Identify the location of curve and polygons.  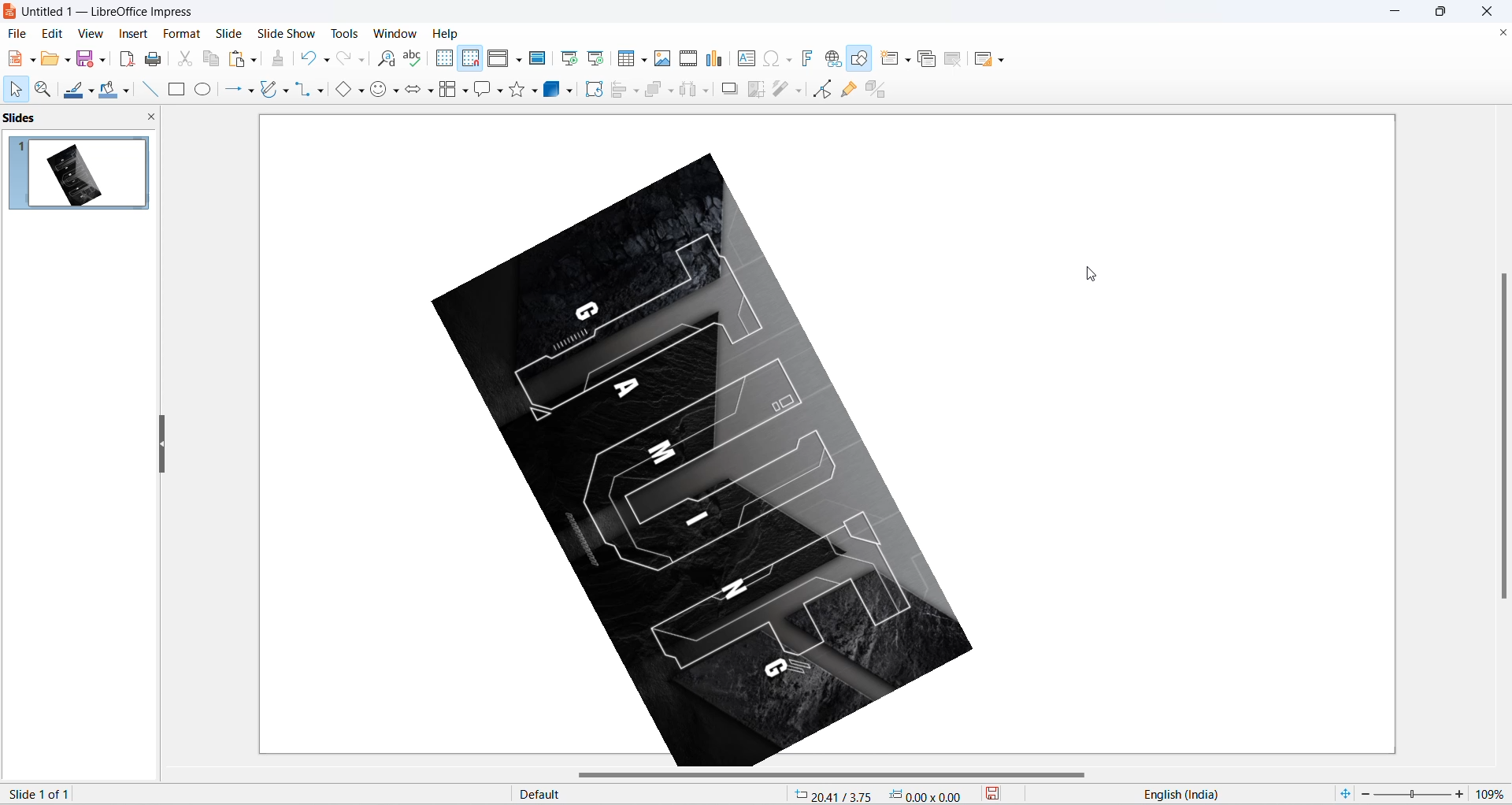
(270, 91).